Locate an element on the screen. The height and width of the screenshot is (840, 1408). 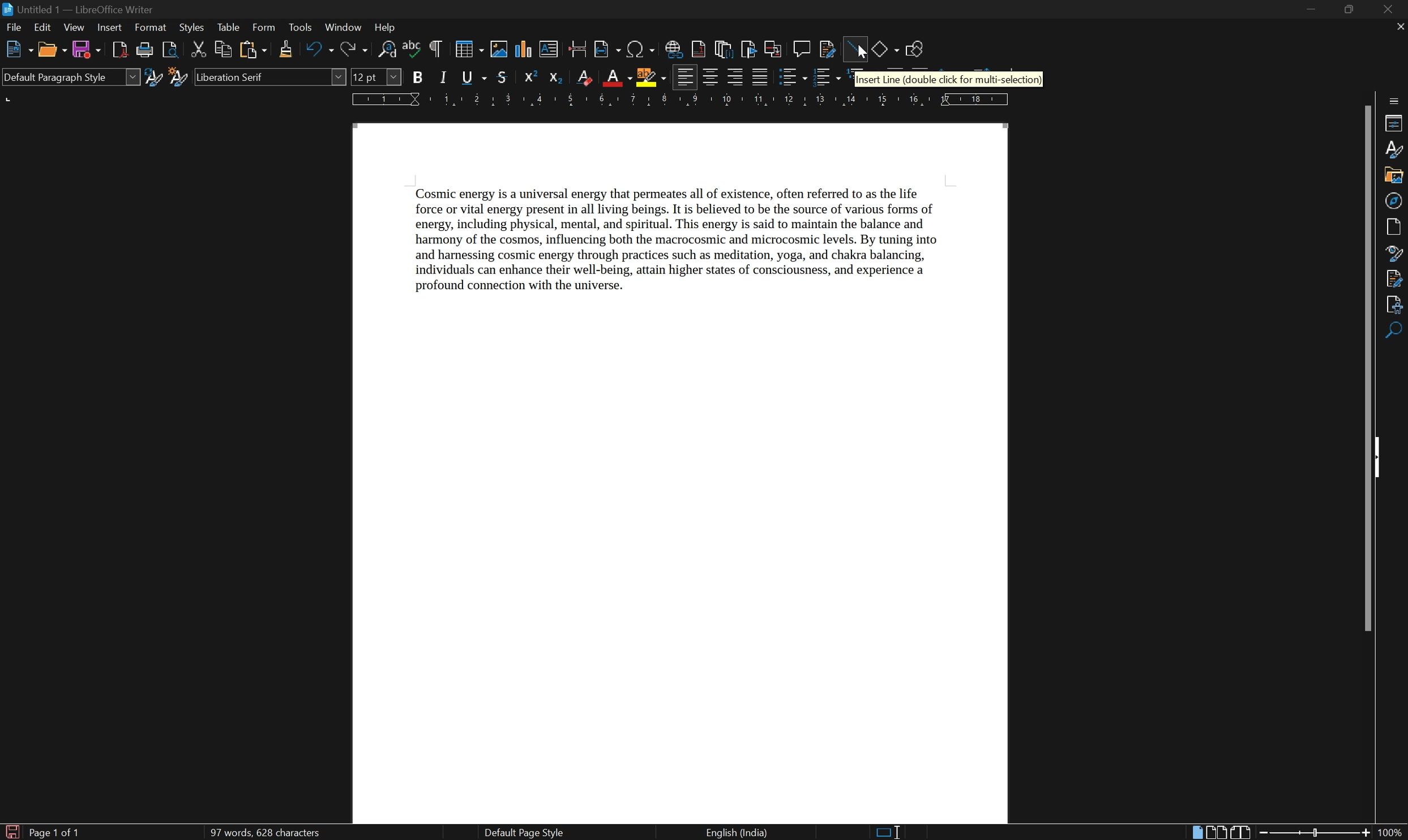
insert is located at coordinates (109, 28).